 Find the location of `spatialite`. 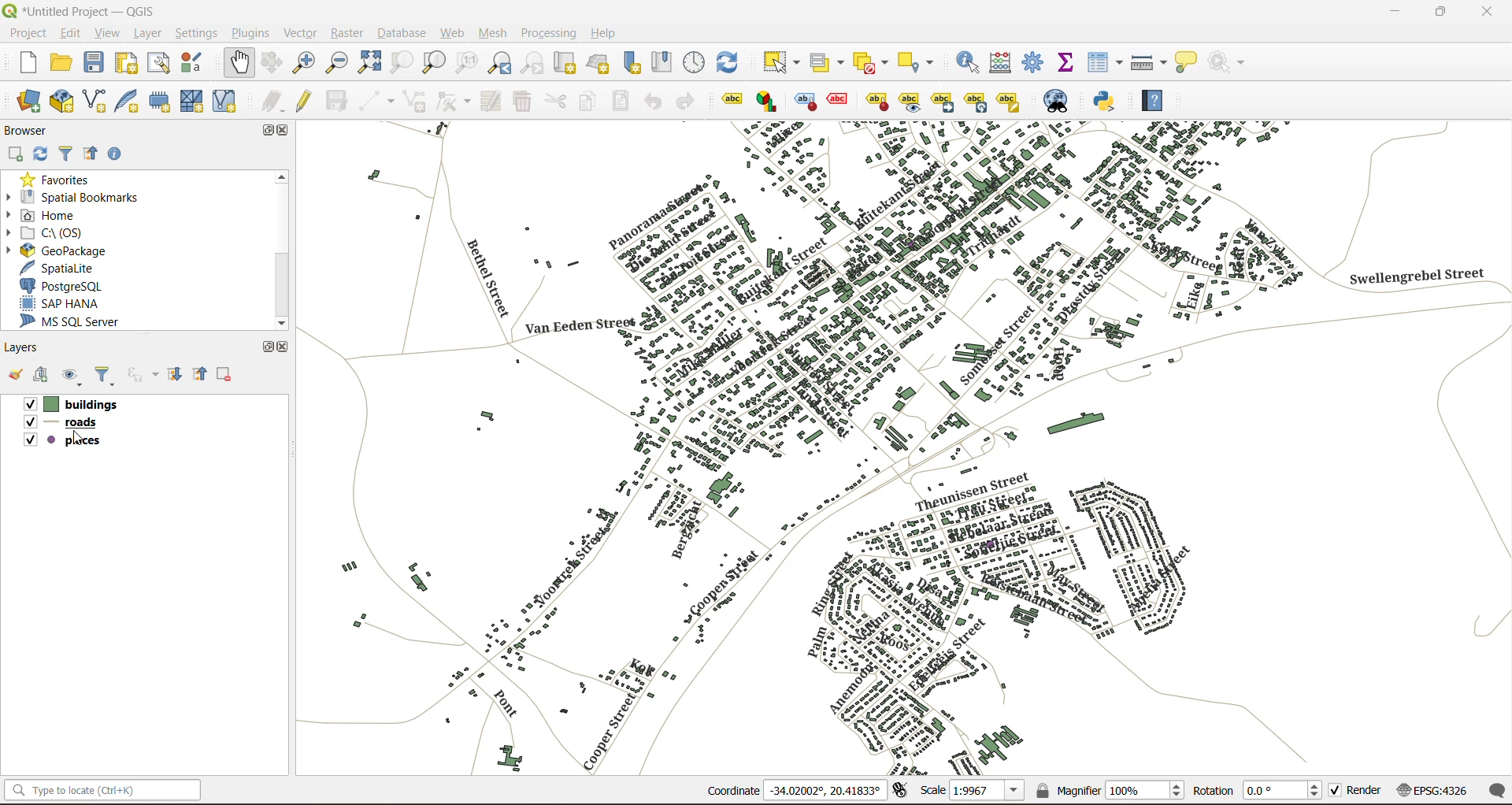

spatialite is located at coordinates (59, 269).